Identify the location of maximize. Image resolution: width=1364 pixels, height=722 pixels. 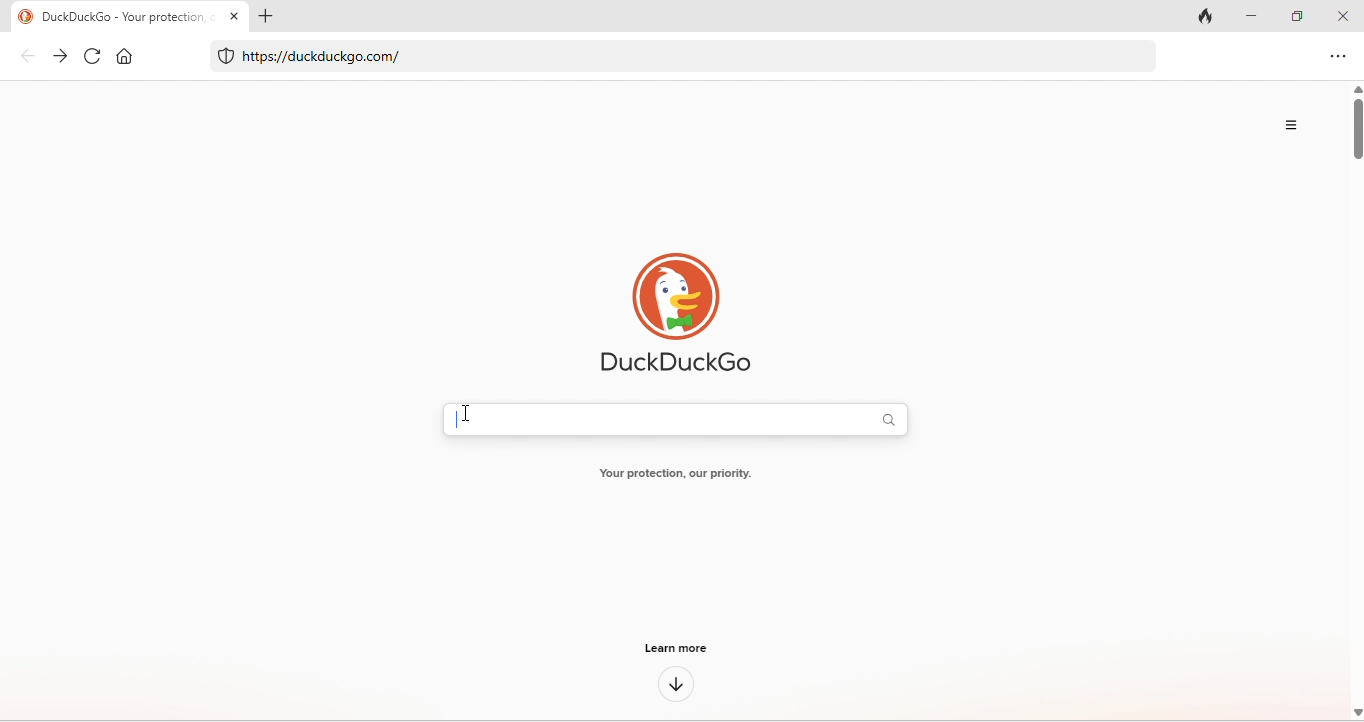
(1297, 13).